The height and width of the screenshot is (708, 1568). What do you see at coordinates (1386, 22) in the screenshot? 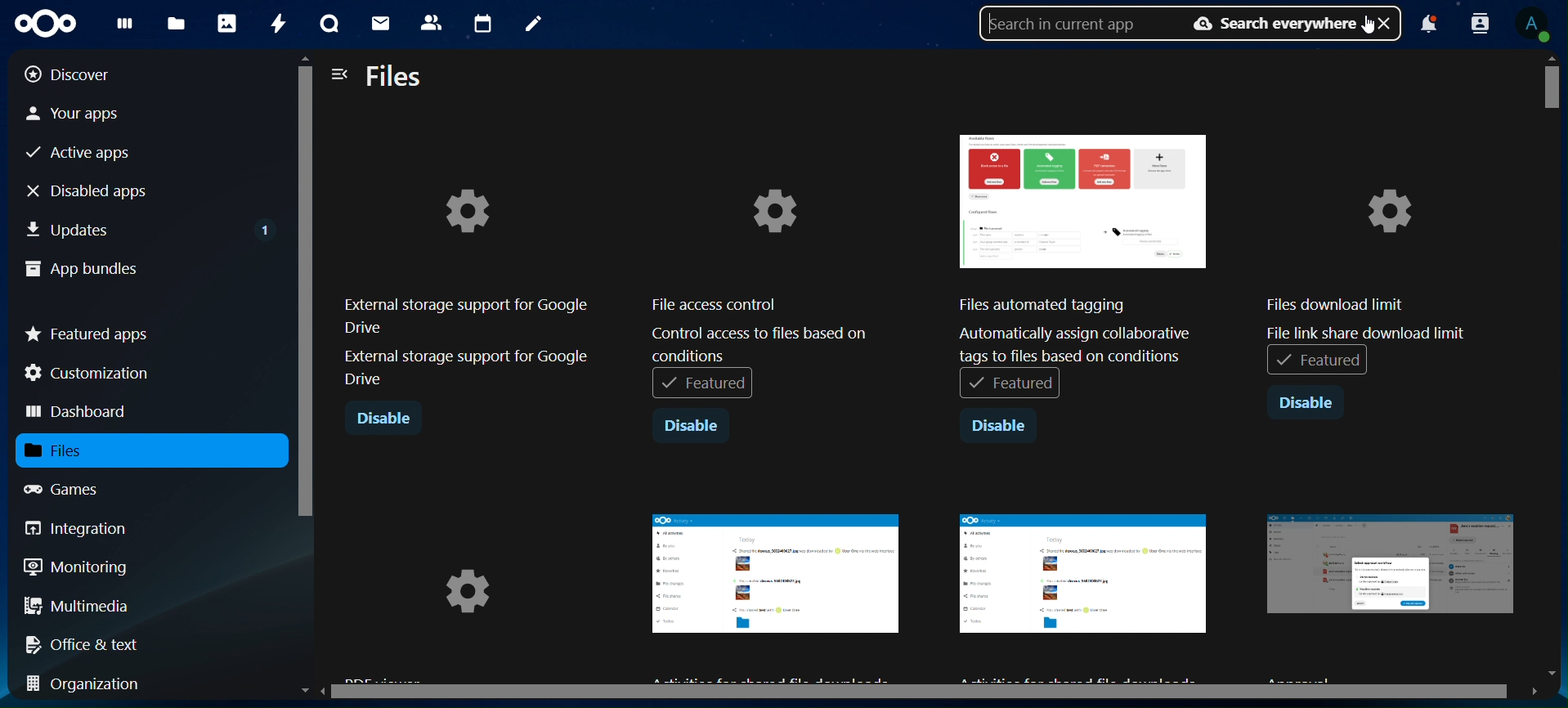
I see `close` at bounding box center [1386, 22].